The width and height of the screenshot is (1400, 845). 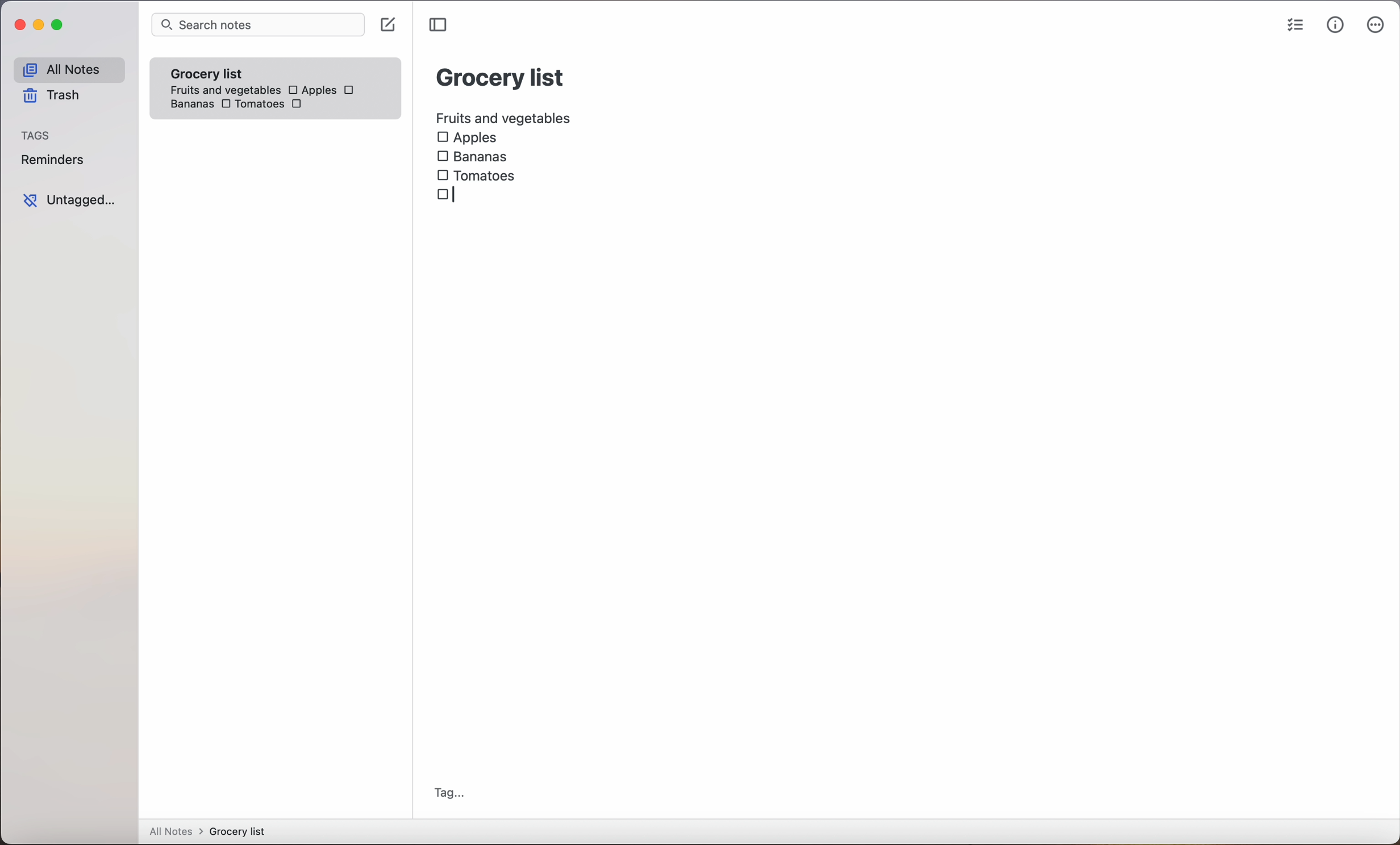 I want to click on trash, so click(x=50, y=98).